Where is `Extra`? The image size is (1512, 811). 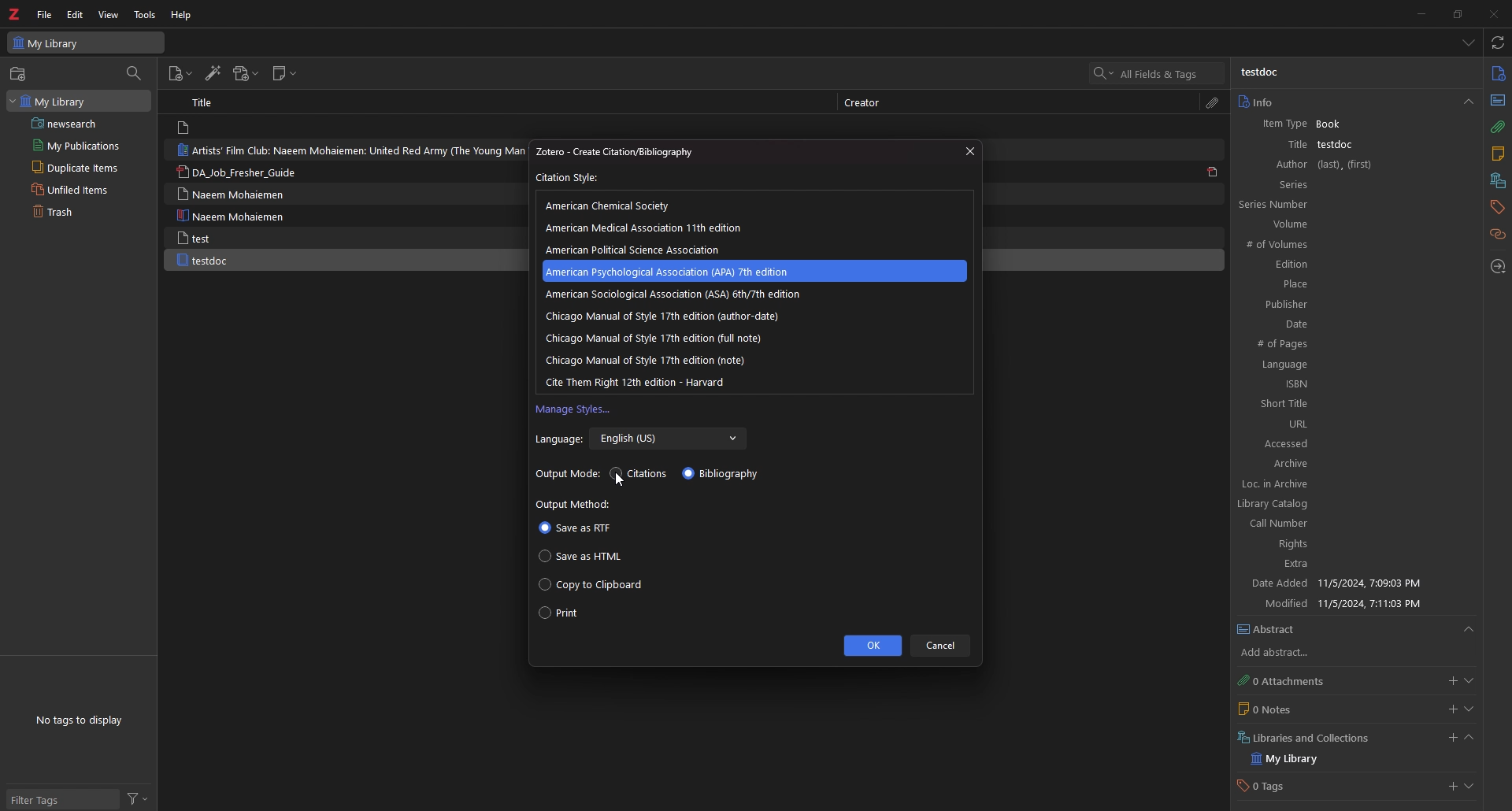
Extra is located at coordinates (1346, 565).